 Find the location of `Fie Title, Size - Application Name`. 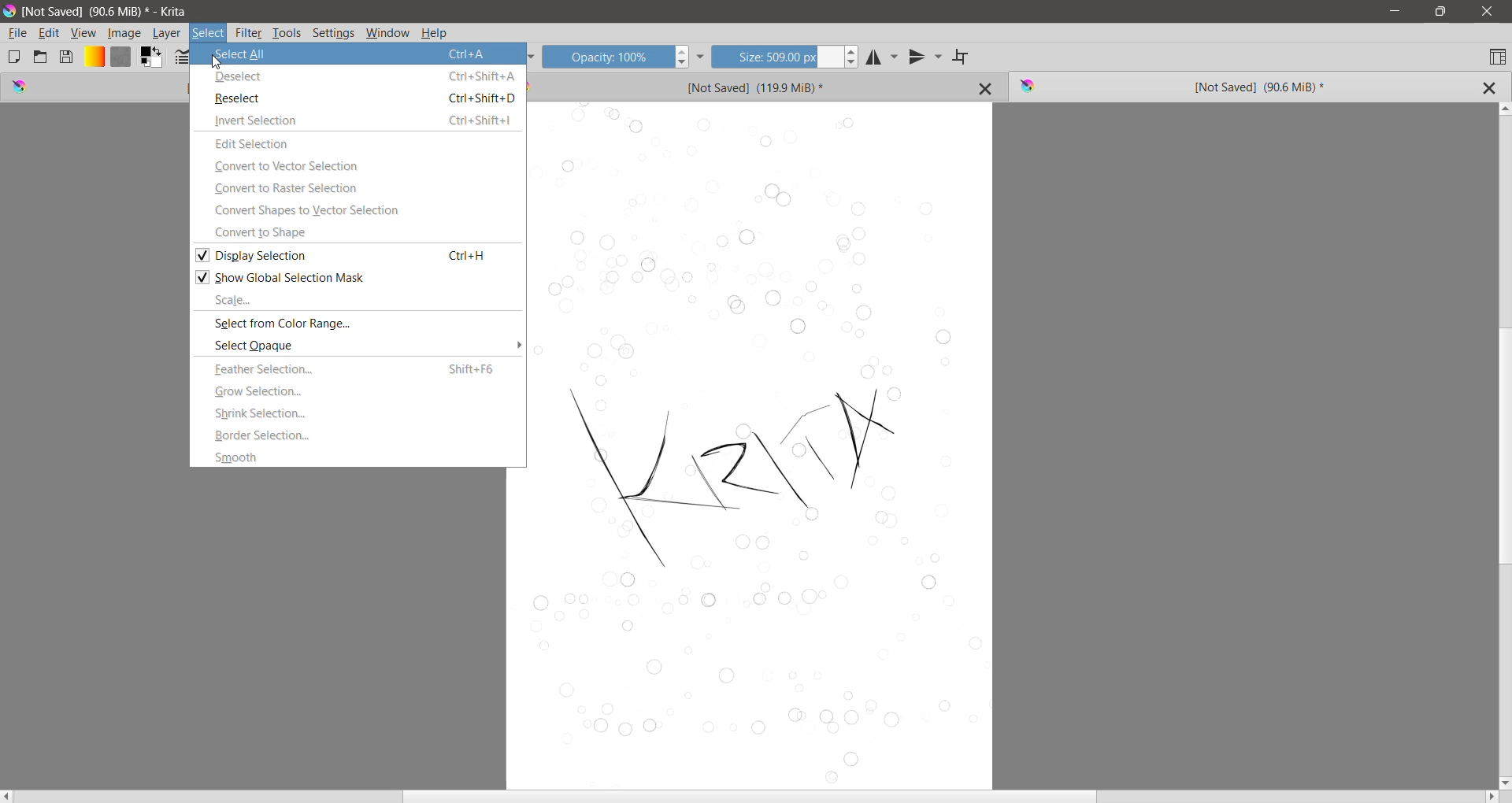

Fie Title, Size - Application Name is located at coordinates (109, 12).